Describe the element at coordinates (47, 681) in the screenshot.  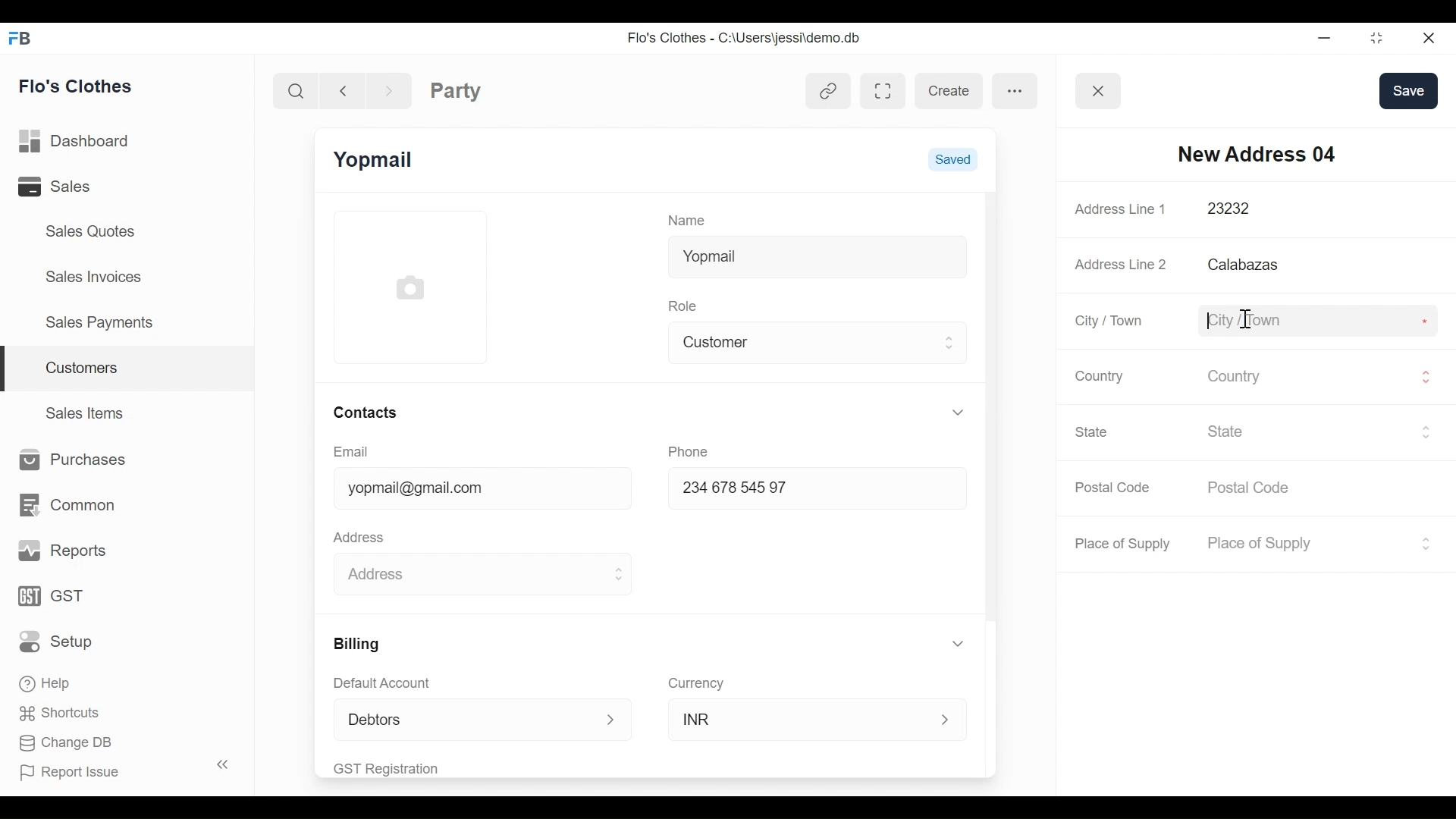
I see `Help` at that location.